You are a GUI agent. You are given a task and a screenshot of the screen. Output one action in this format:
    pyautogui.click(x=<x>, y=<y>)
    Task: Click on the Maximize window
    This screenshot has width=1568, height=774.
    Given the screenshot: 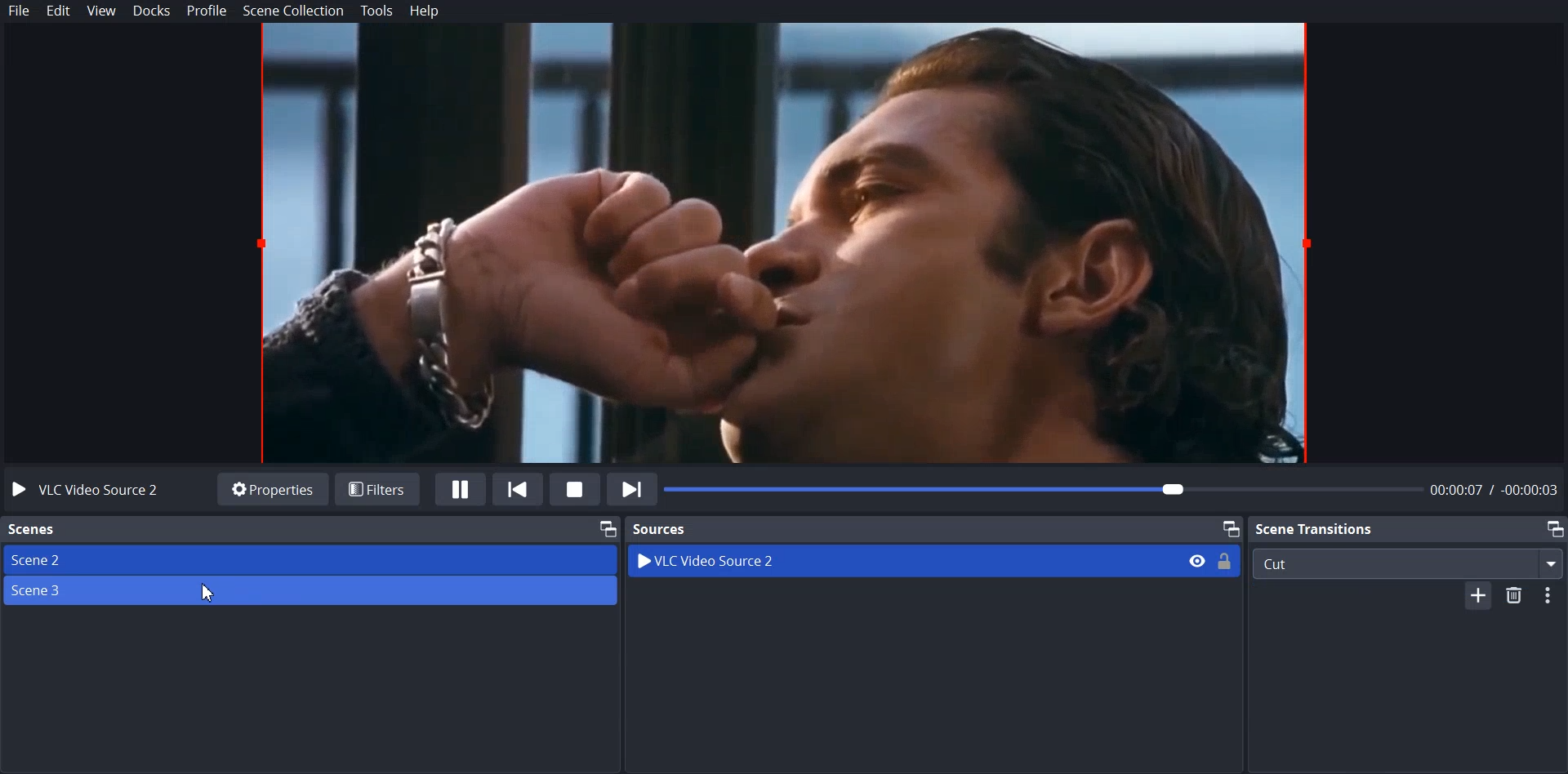 What is the action you would take?
    pyautogui.click(x=1230, y=527)
    